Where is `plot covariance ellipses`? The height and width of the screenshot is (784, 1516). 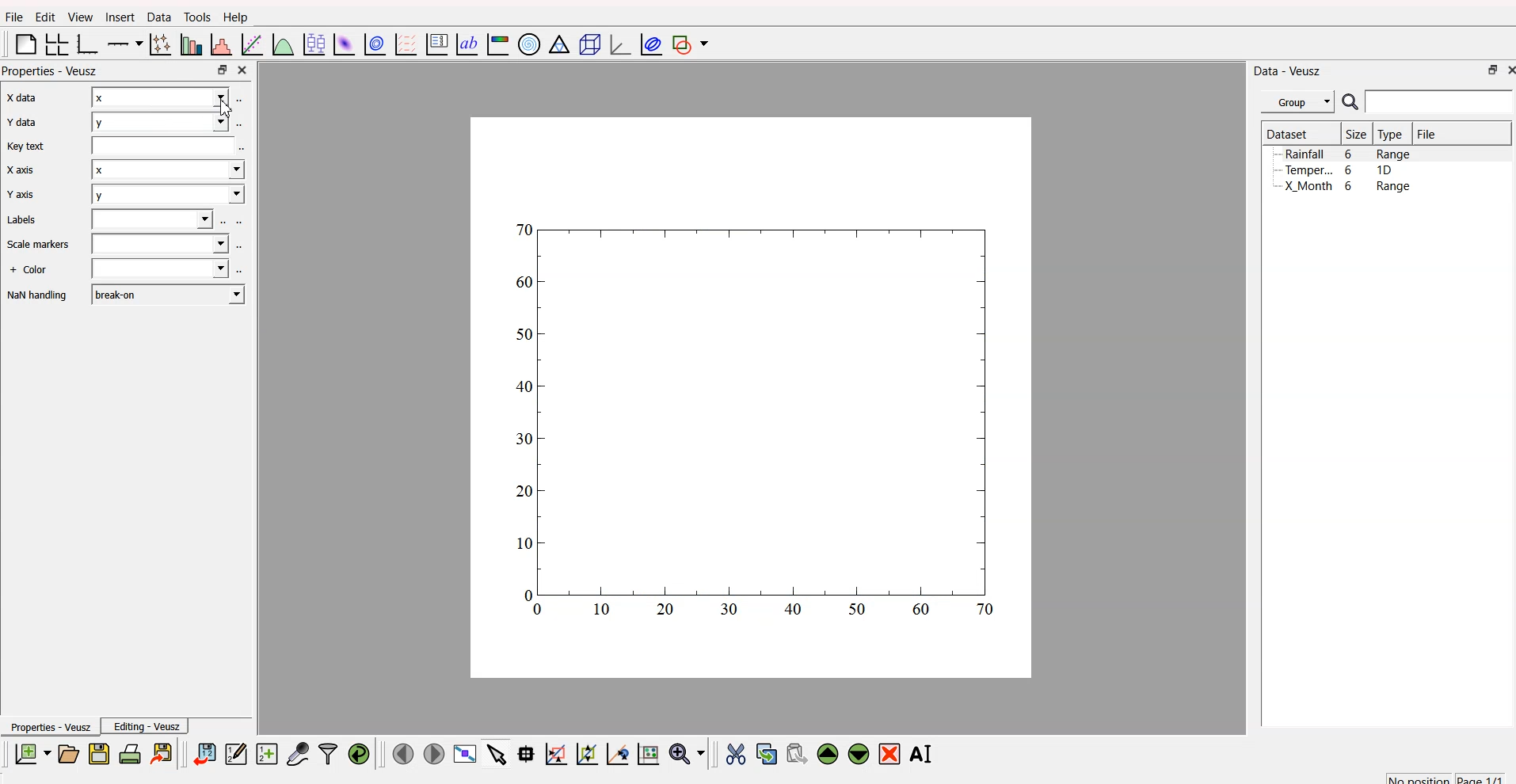 plot covariance ellipses is located at coordinates (648, 44).